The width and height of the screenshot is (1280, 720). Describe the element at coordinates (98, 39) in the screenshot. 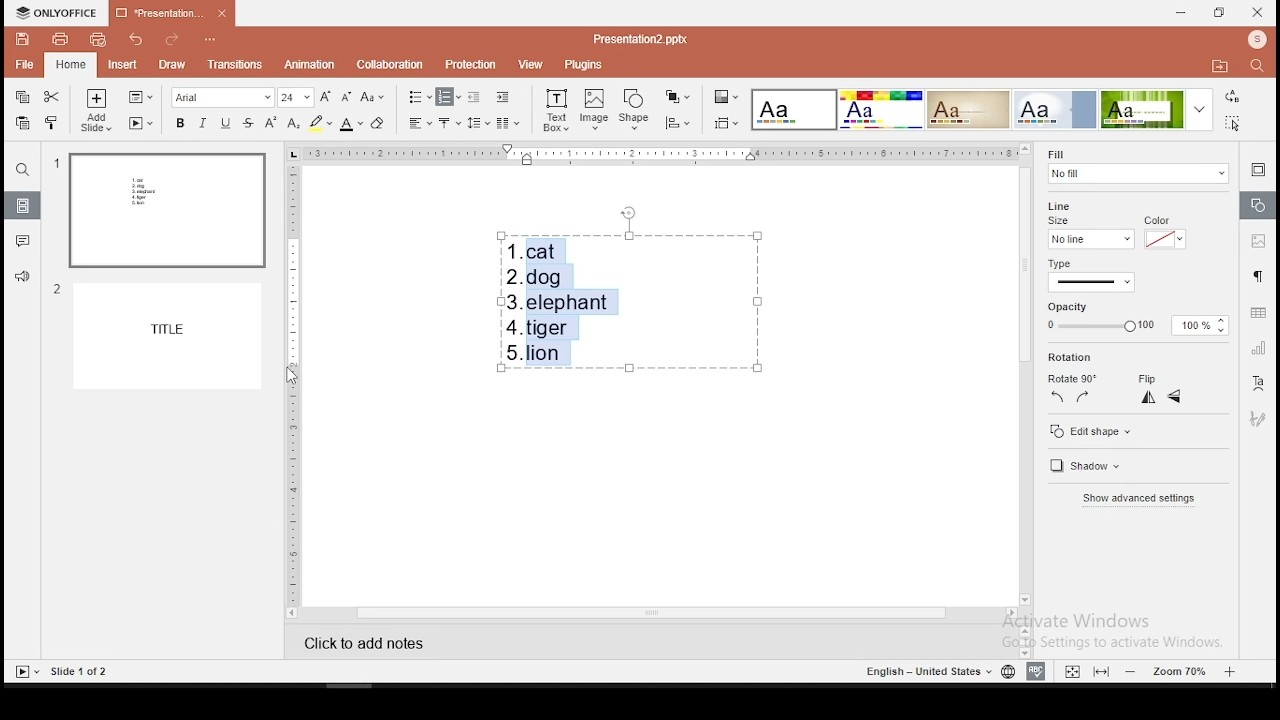

I see `quick print` at that location.